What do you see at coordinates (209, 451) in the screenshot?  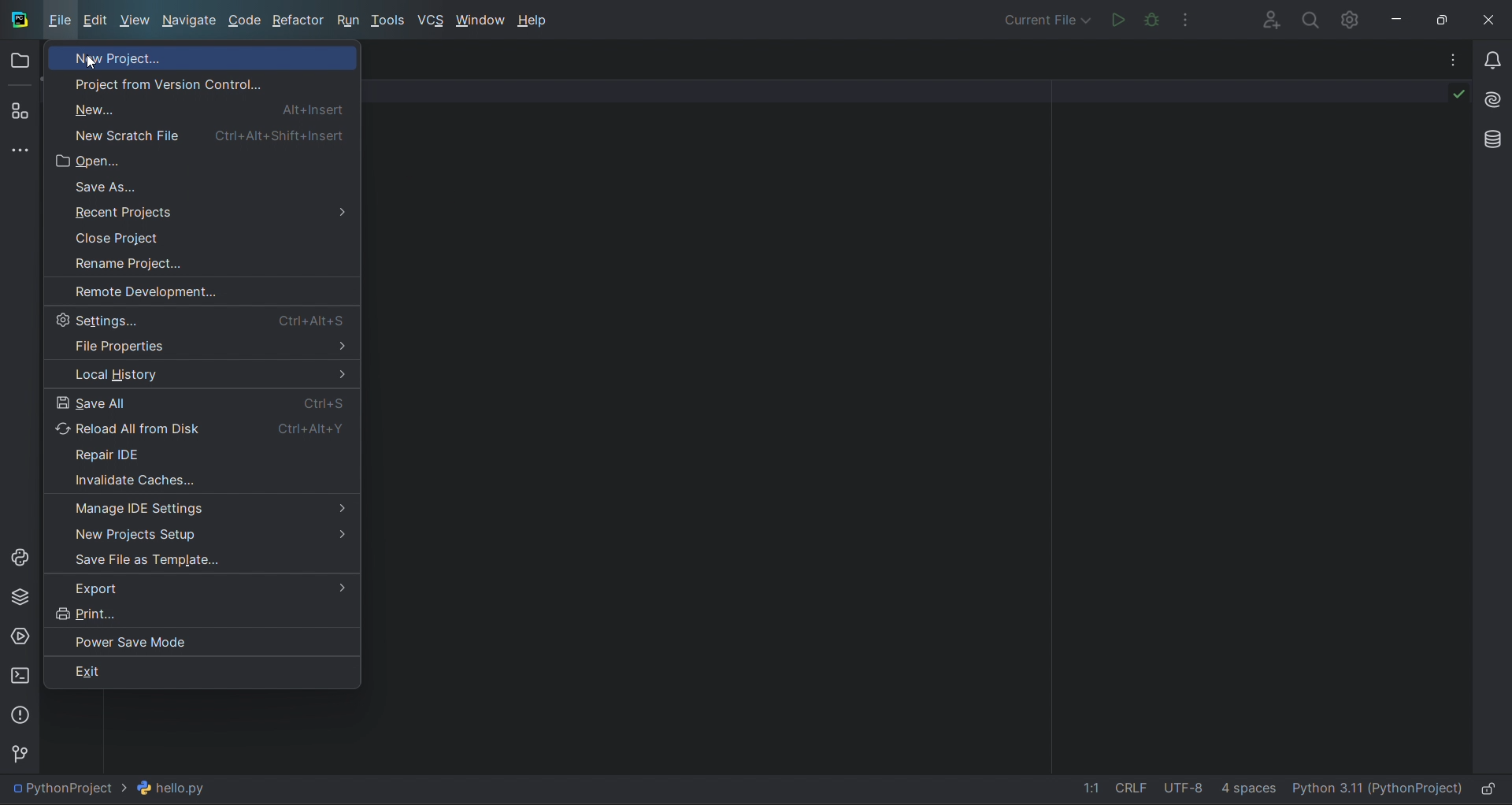 I see `repair ide` at bounding box center [209, 451].